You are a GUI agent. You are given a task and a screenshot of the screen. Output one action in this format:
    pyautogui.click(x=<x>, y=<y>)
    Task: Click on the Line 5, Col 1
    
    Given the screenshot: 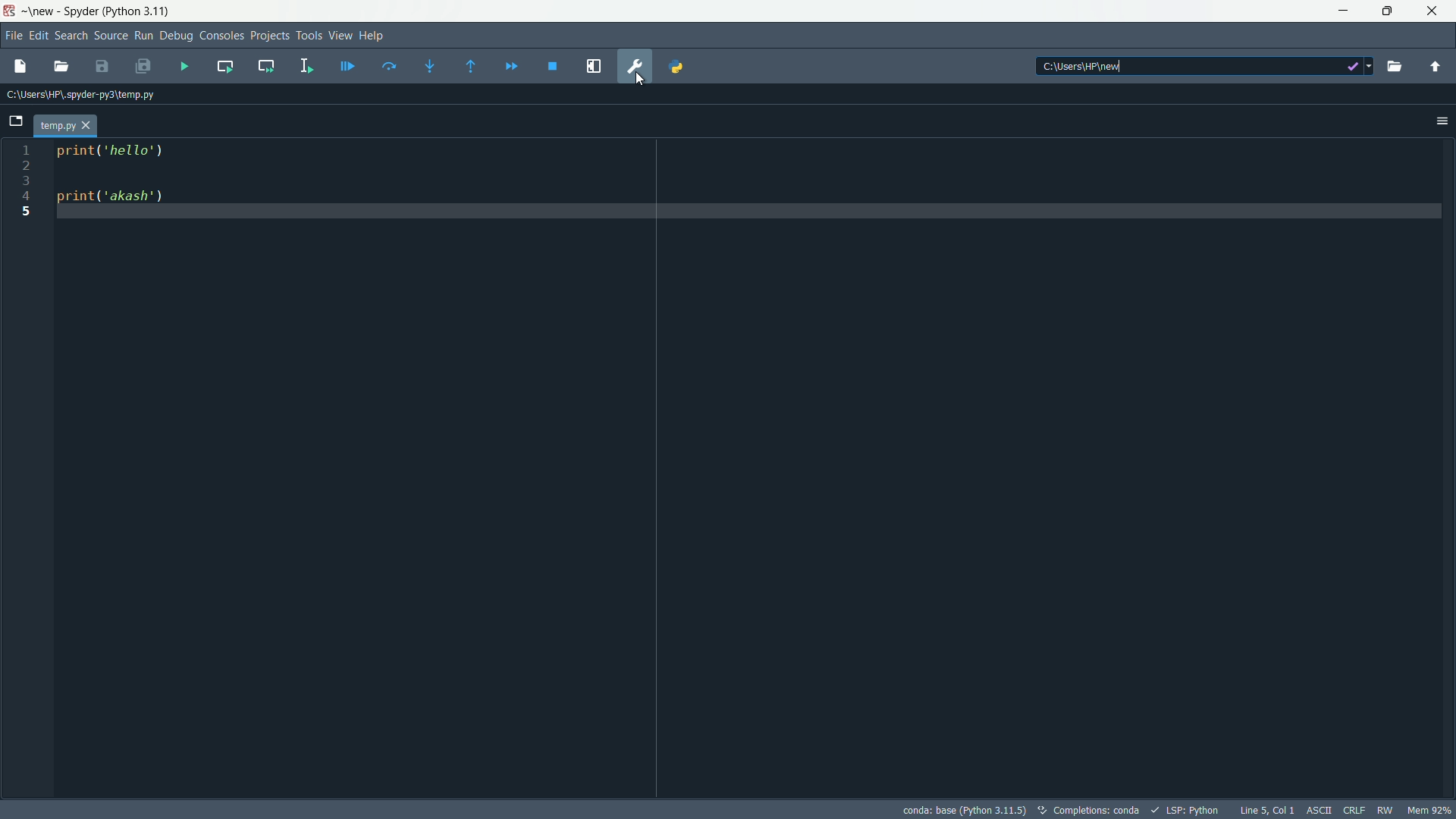 What is the action you would take?
    pyautogui.click(x=1270, y=810)
    